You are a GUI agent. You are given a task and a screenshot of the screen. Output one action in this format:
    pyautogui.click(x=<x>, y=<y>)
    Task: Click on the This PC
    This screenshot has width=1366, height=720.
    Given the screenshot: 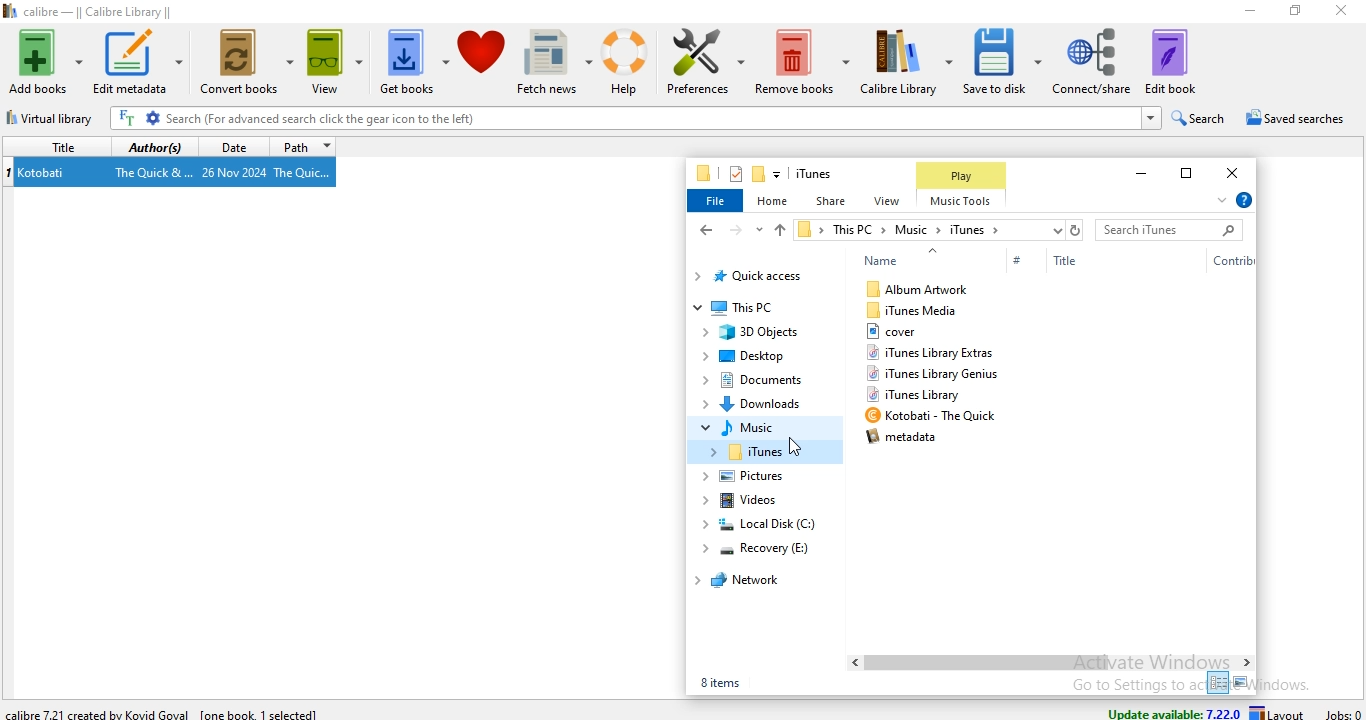 What is the action you would take?
    pyautogui.click(x=768, y=308)
    